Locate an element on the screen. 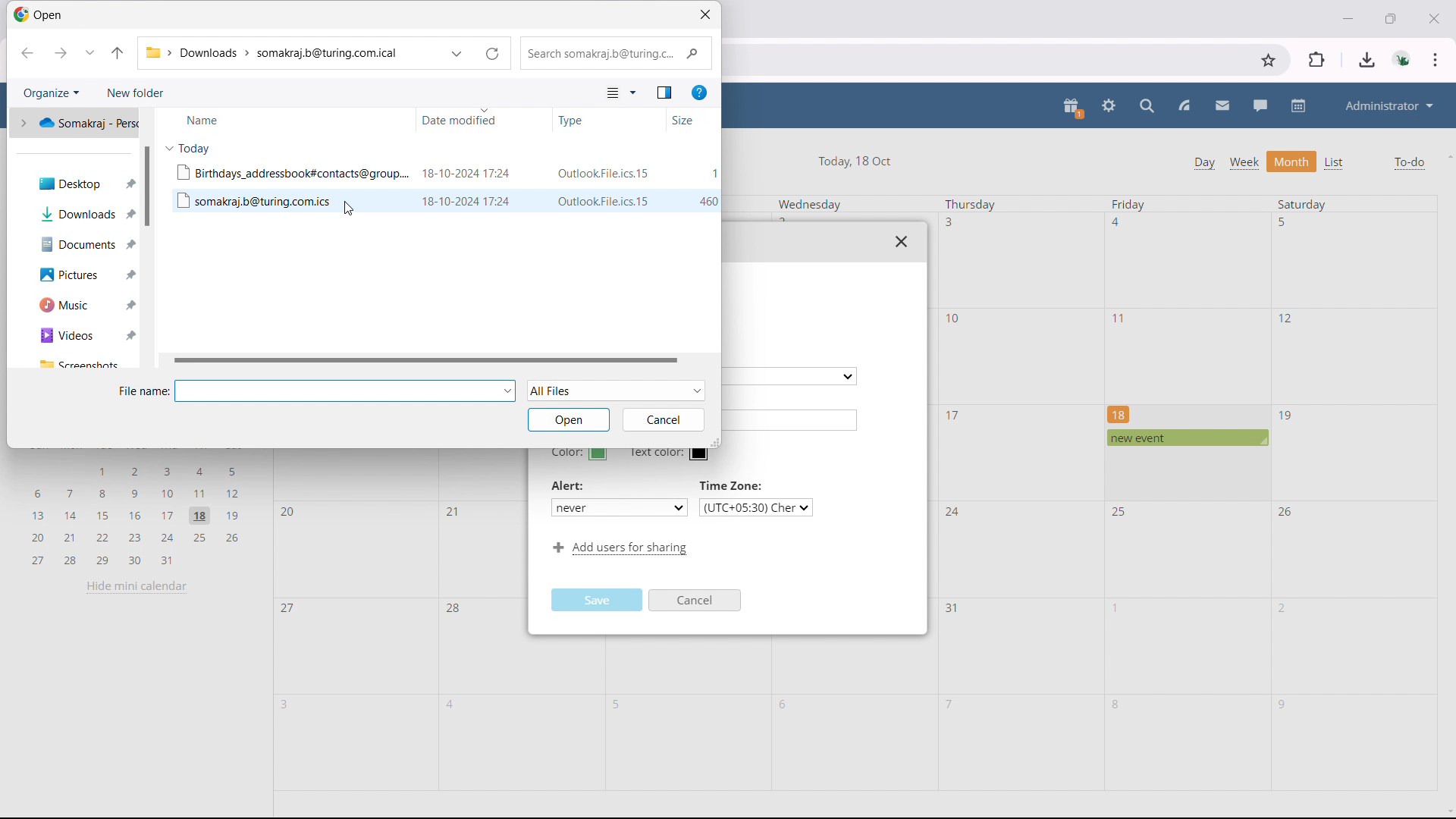 This screenshot has height=819, width=1456. 11 is located at coordinates (1122, 318).